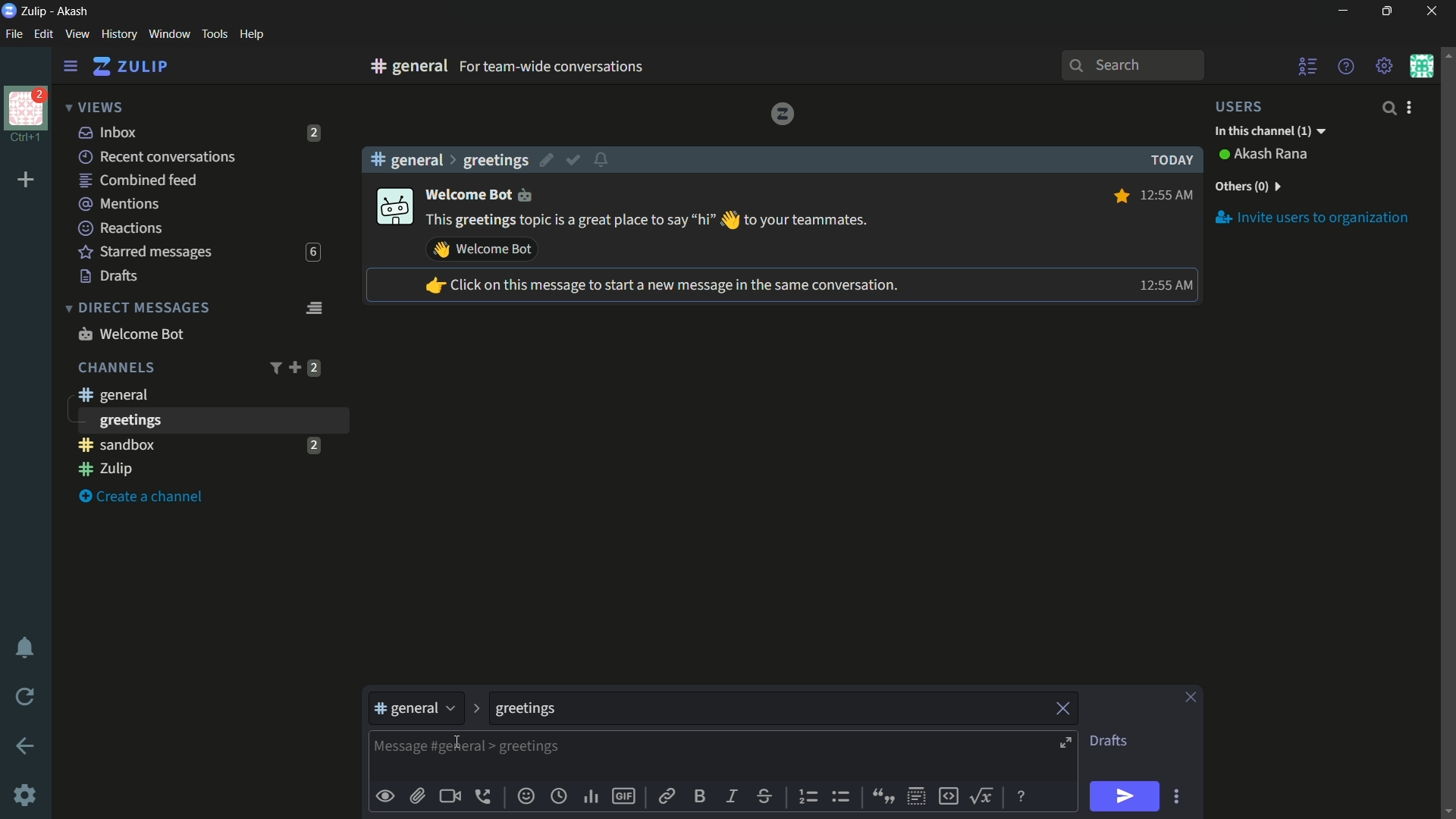 This screenshot has height=819, width=1456. I want to click on send, so click(1123, 797).